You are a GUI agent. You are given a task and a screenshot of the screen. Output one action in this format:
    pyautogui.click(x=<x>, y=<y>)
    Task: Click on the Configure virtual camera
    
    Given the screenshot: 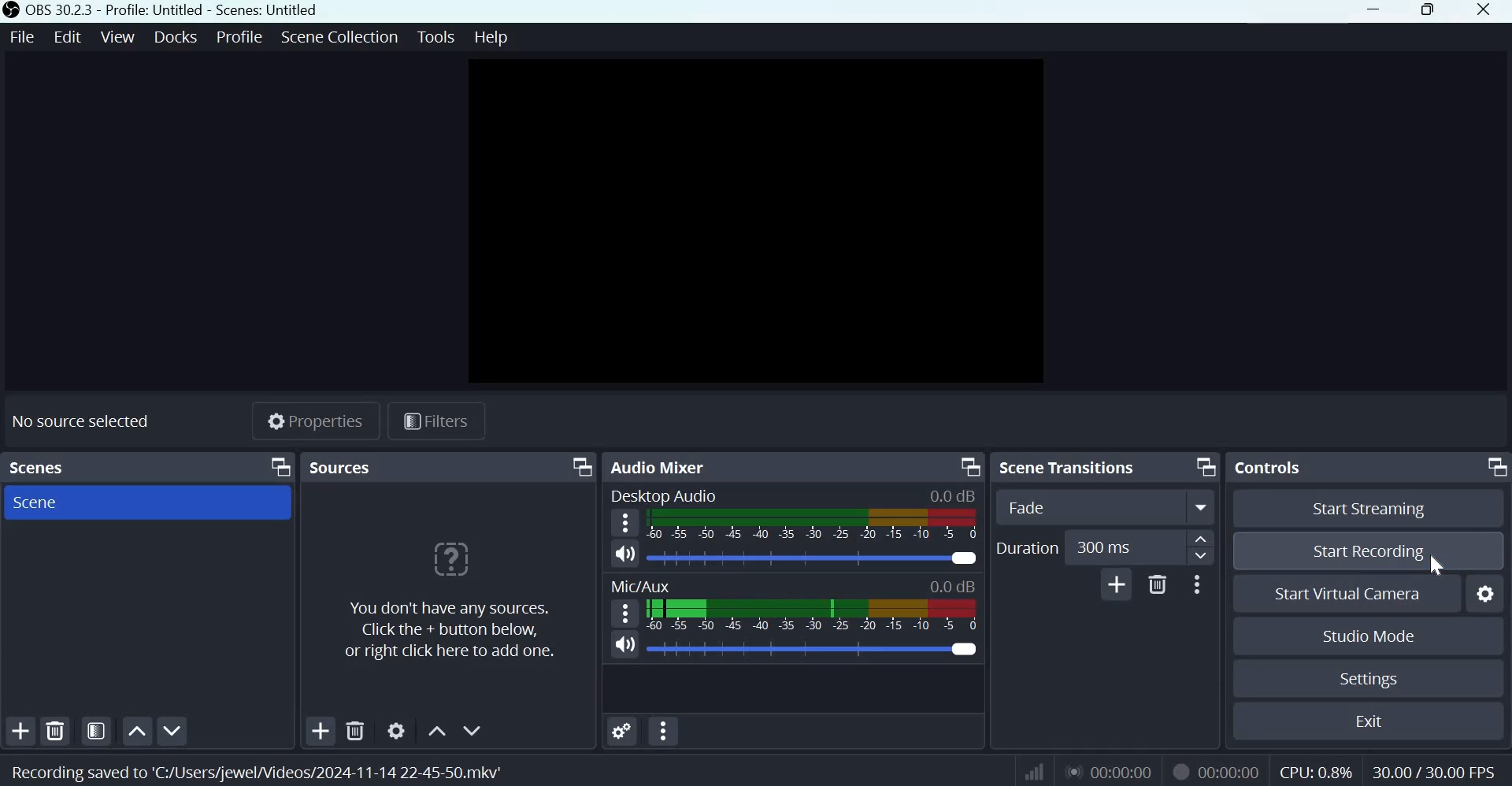 What is the action you would take?
    pyautogui.click(x=1485, y=594)
    